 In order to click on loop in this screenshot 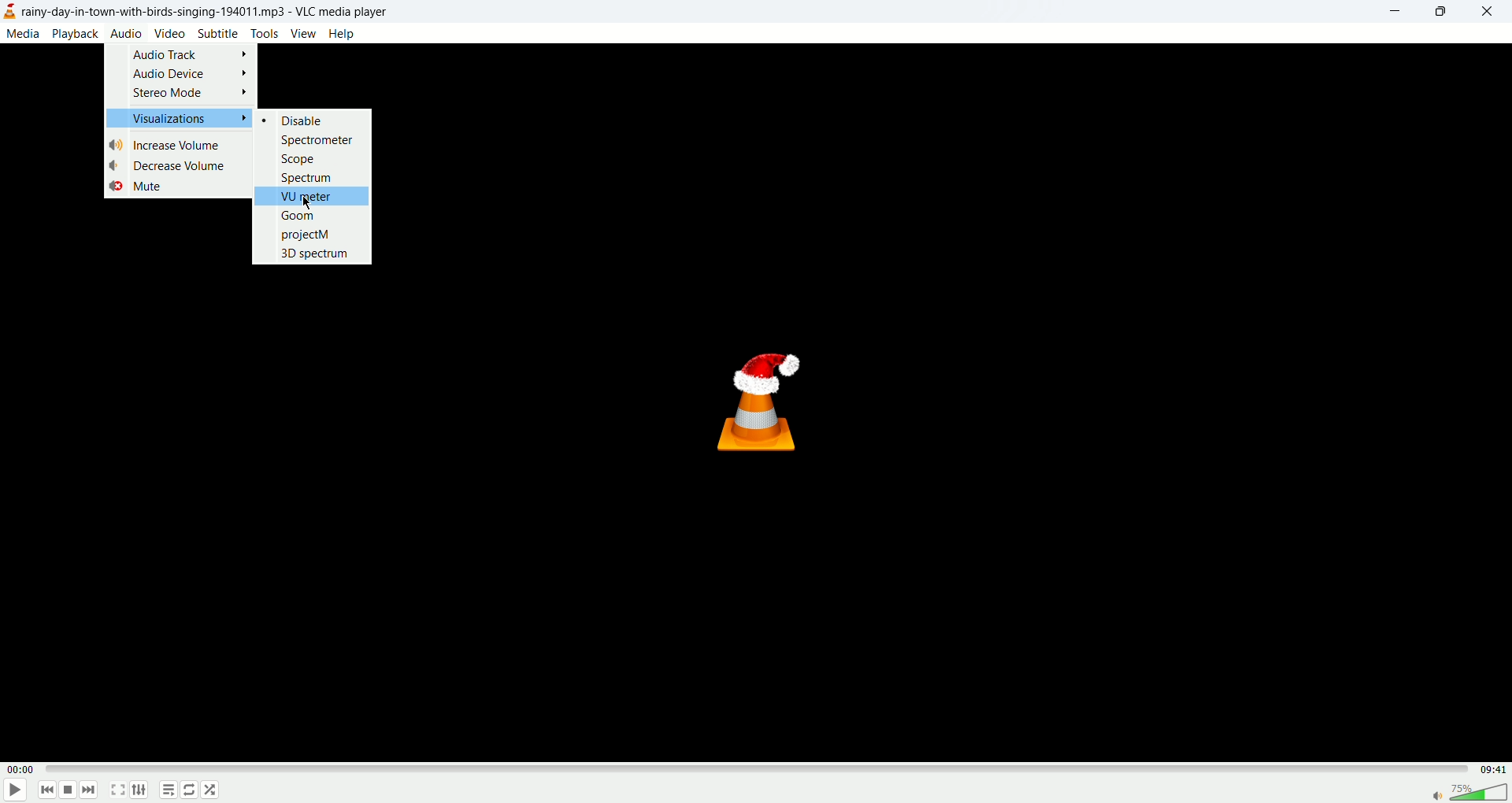, I will do `click(188, 791)`.